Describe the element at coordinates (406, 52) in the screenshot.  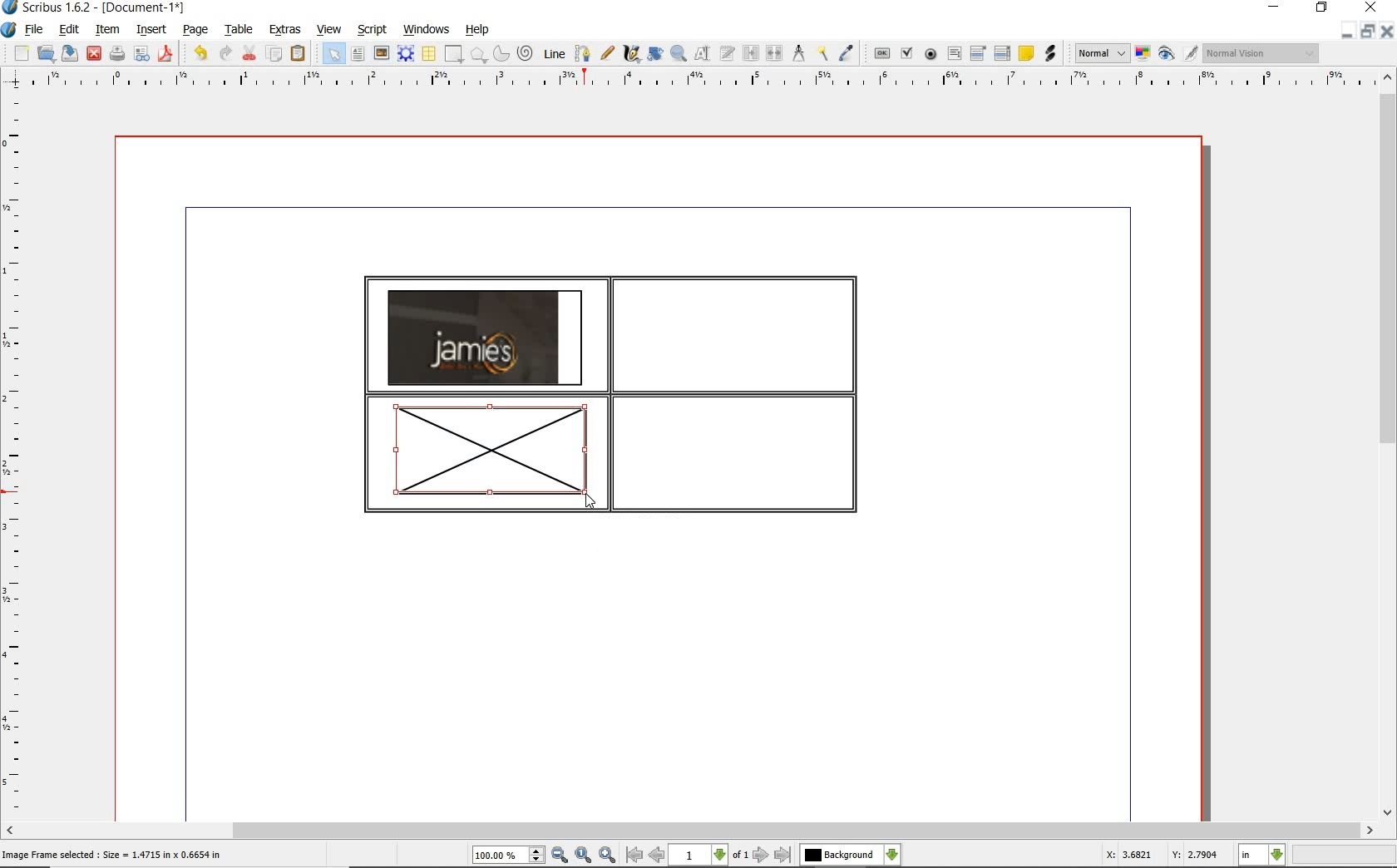
I see `render frame` at that location.